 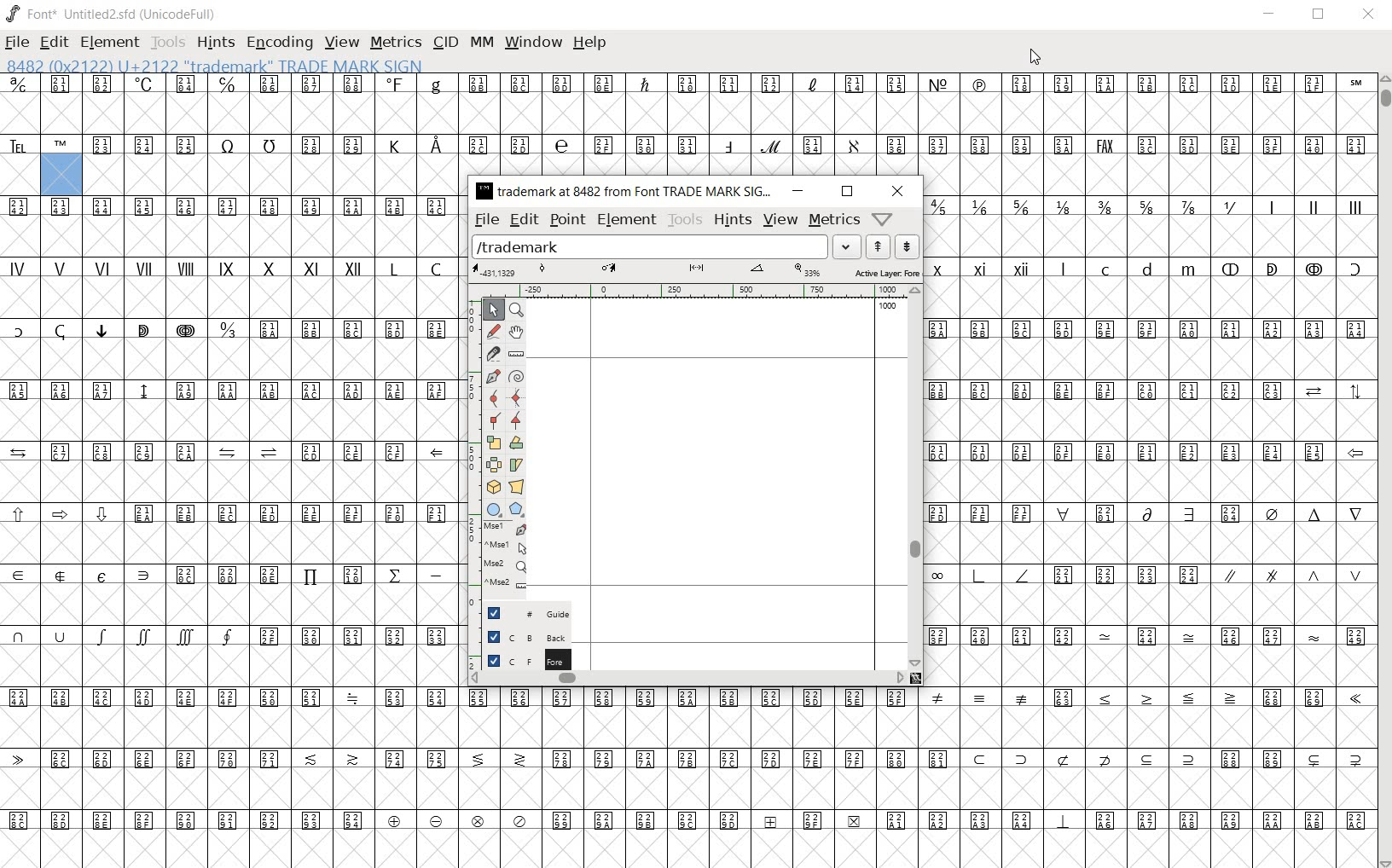 I want to click on RESTORE, so click(x=1318, y=16).